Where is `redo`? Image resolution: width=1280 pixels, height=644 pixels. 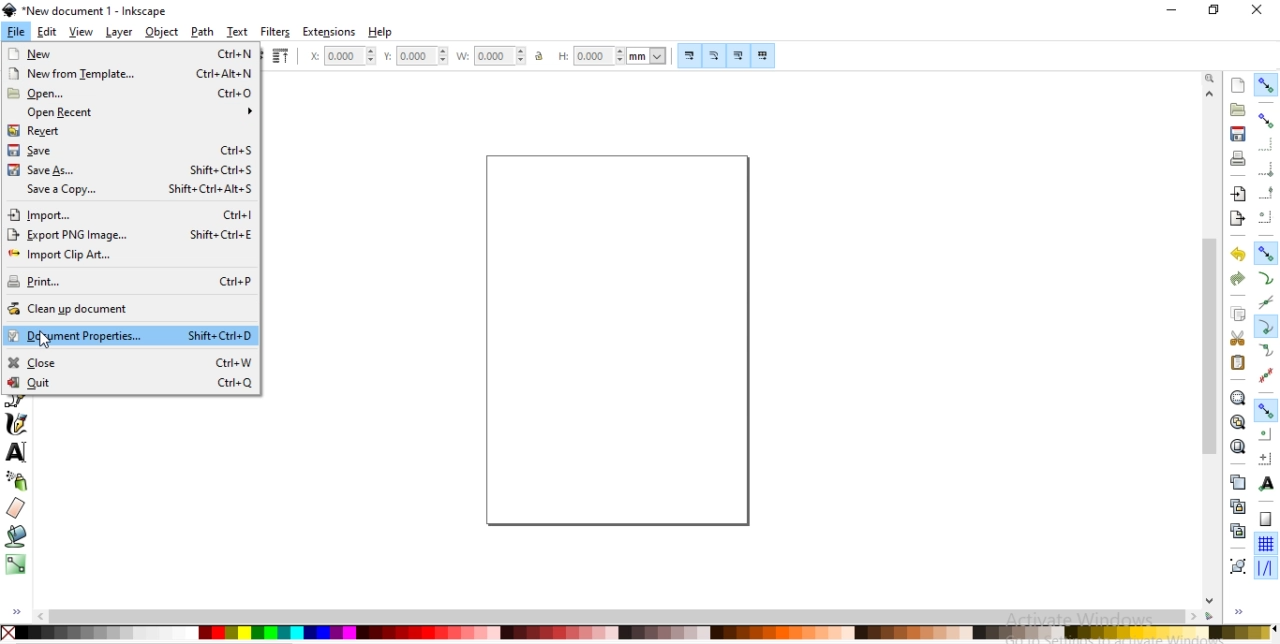 redo is located at coordinates (1238, 279).